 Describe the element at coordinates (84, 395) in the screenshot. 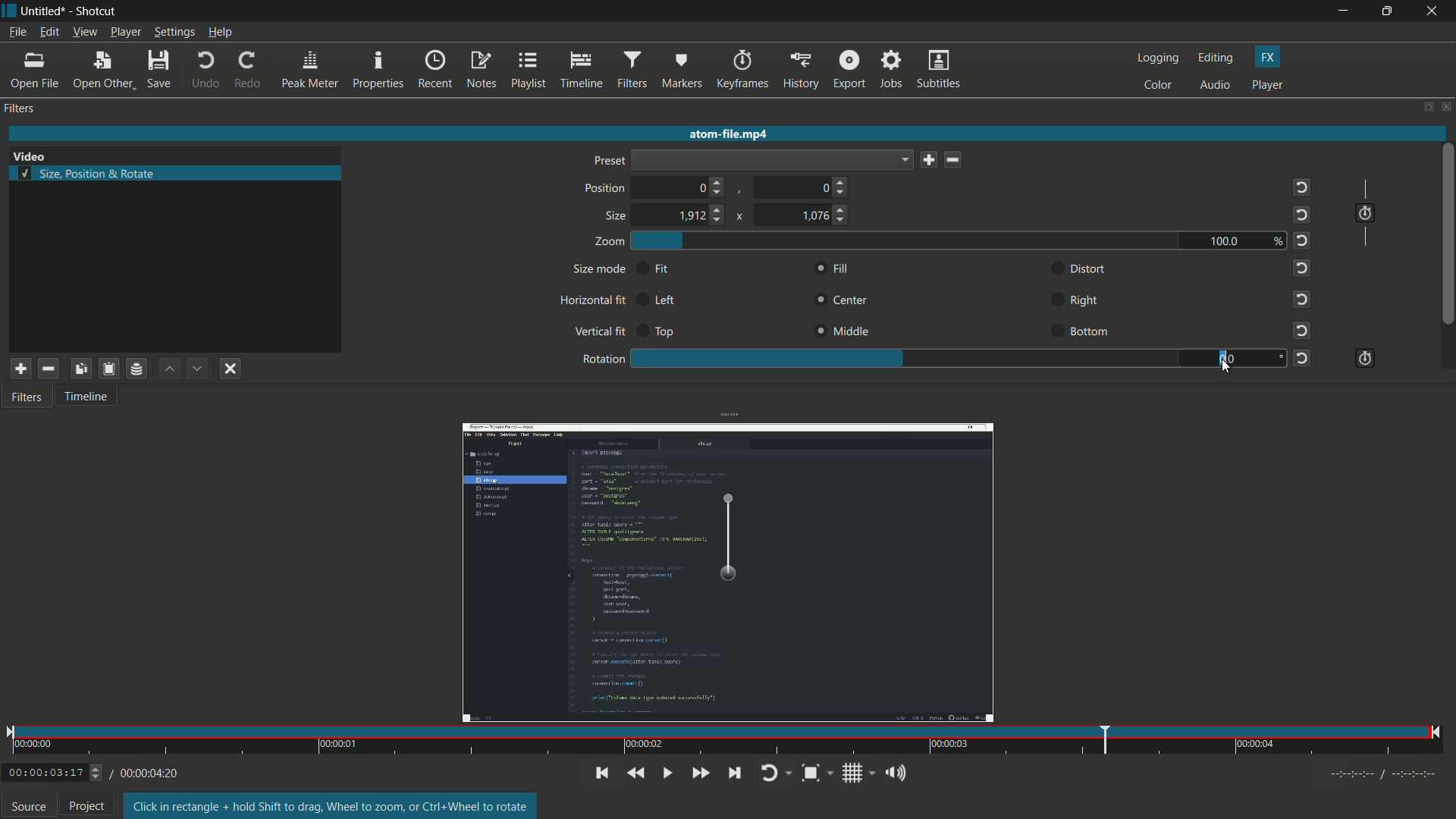

I see `timeline` at that location.